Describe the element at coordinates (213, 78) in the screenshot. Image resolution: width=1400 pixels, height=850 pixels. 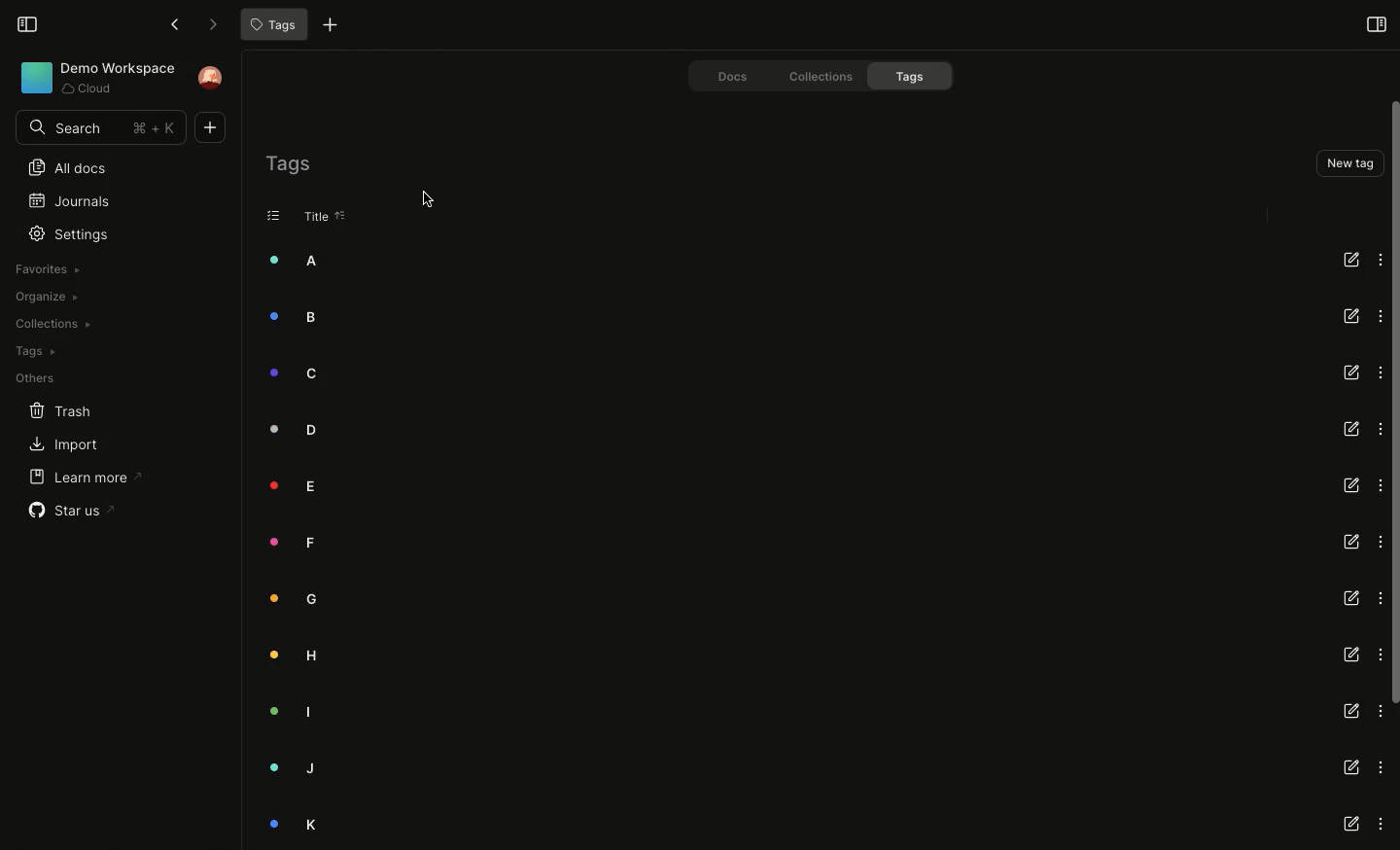
I see `User` at that location.